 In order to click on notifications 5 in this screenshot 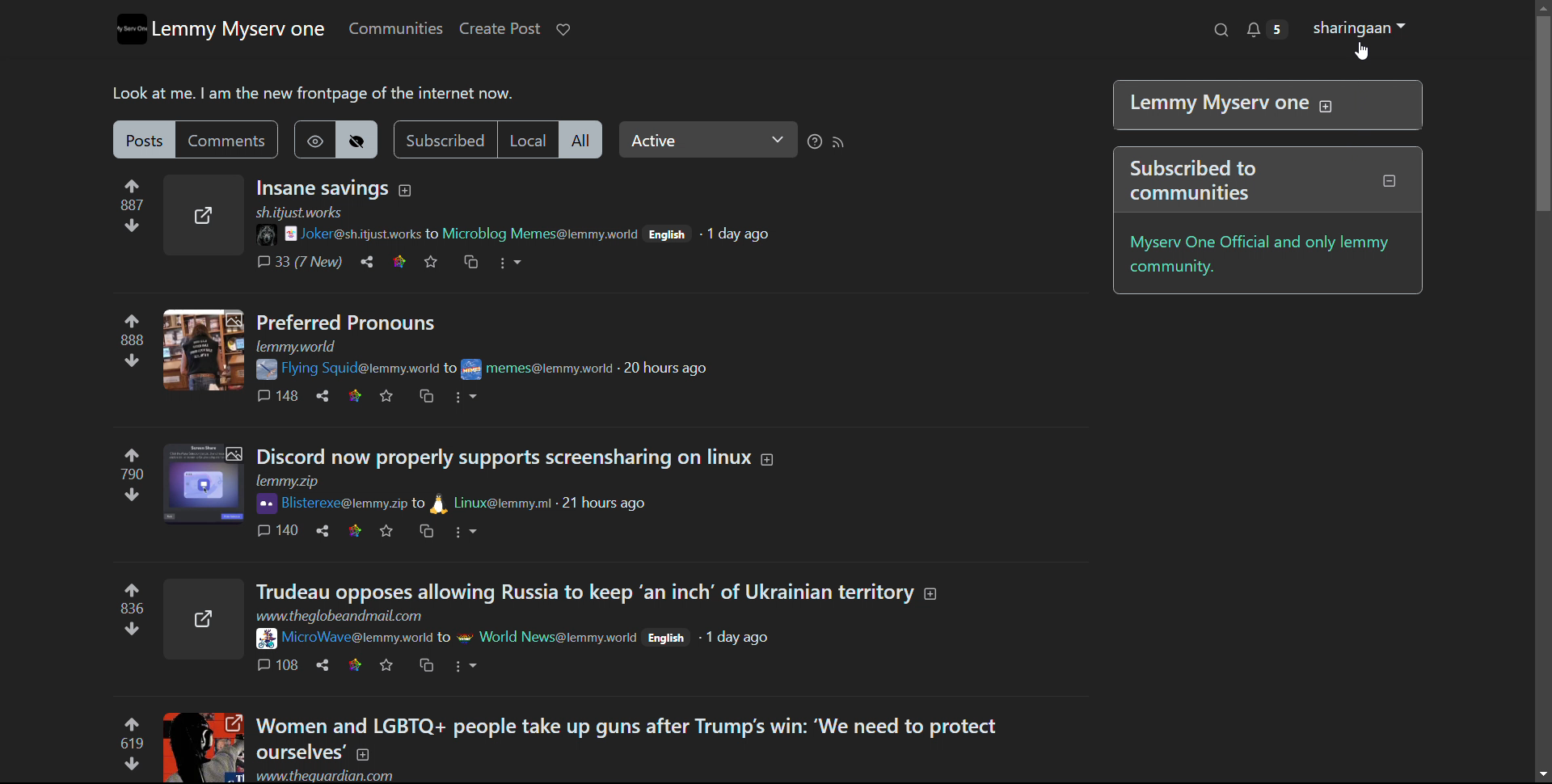, I will do `click(1265, 29)`.